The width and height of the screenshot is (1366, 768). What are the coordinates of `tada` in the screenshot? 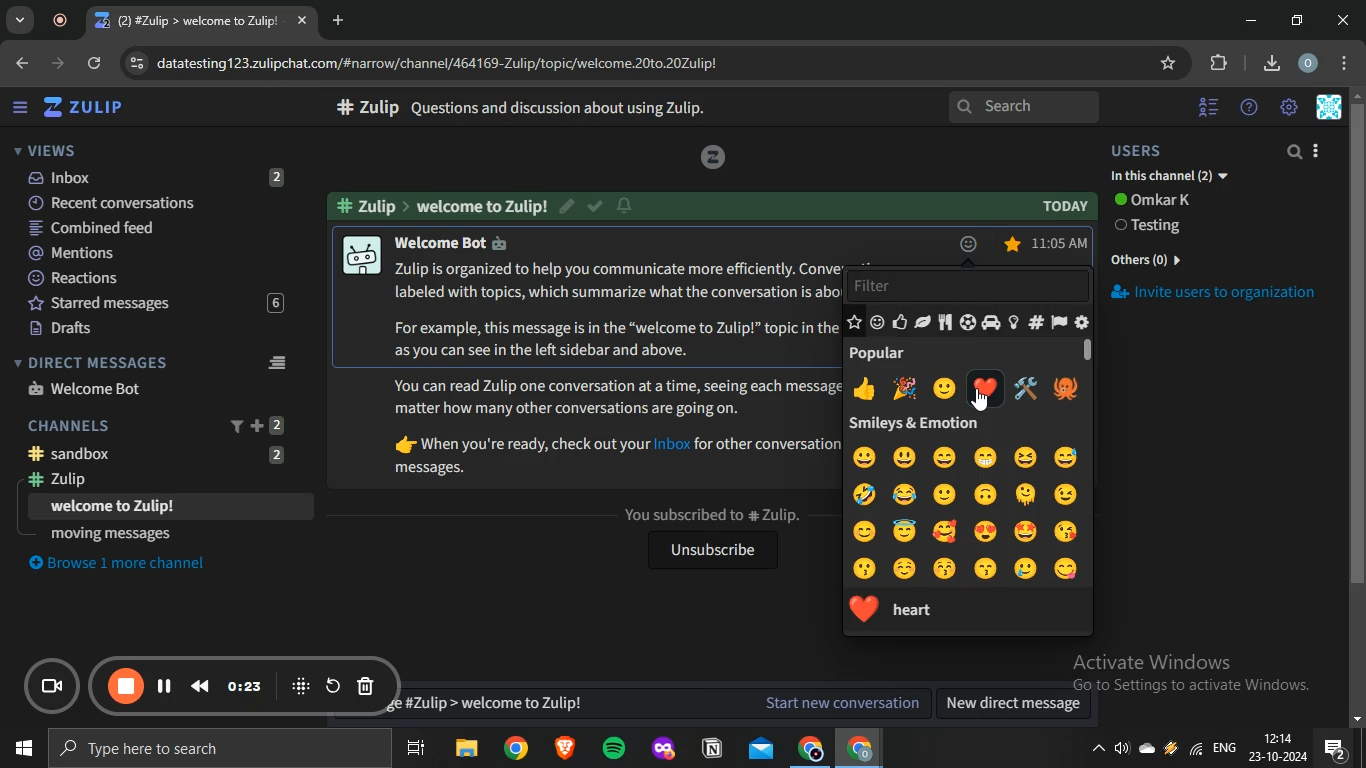 It's located at (906, 390).